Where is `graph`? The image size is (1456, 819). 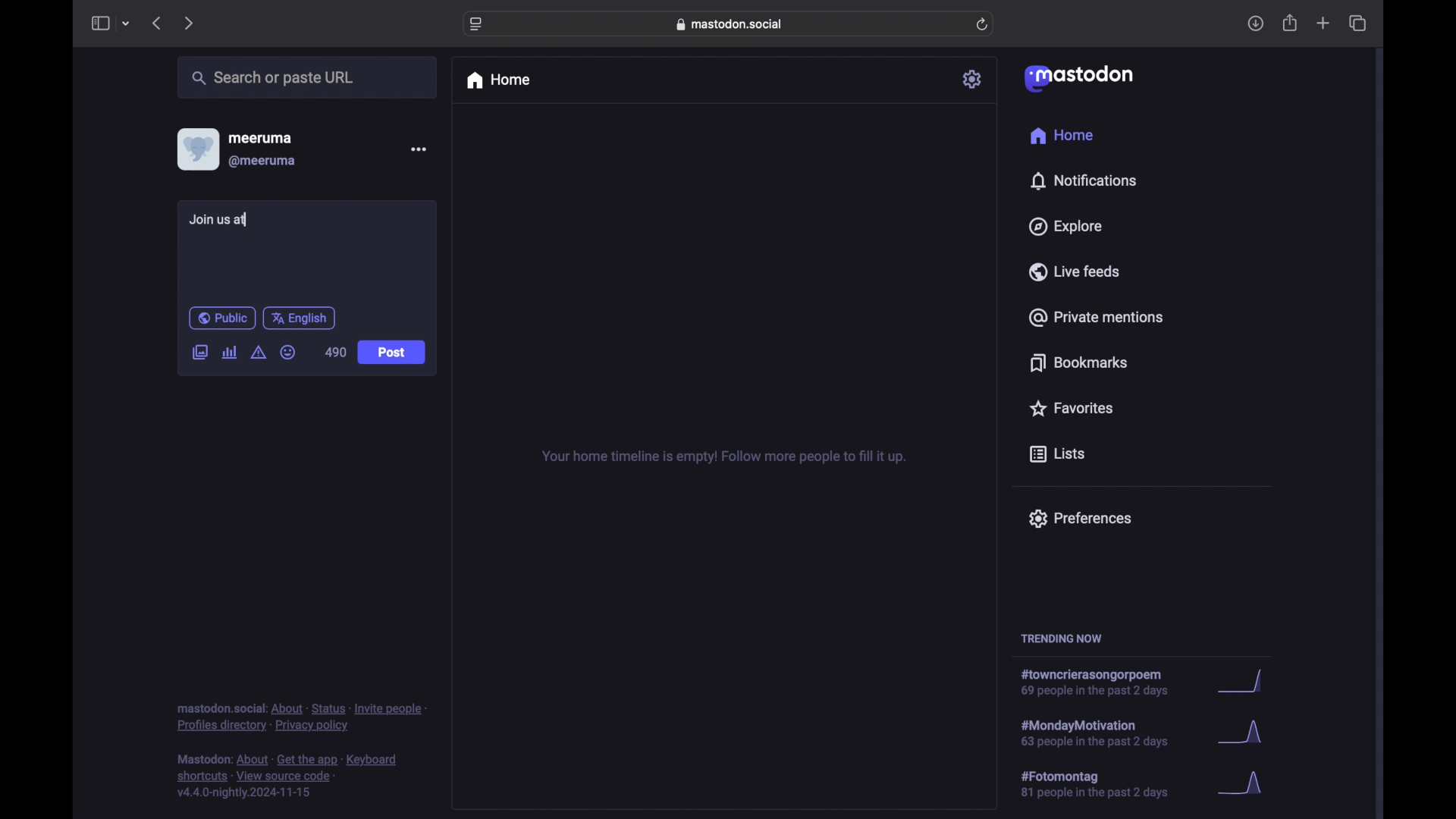
graph is located at coordinates (1240, 734).